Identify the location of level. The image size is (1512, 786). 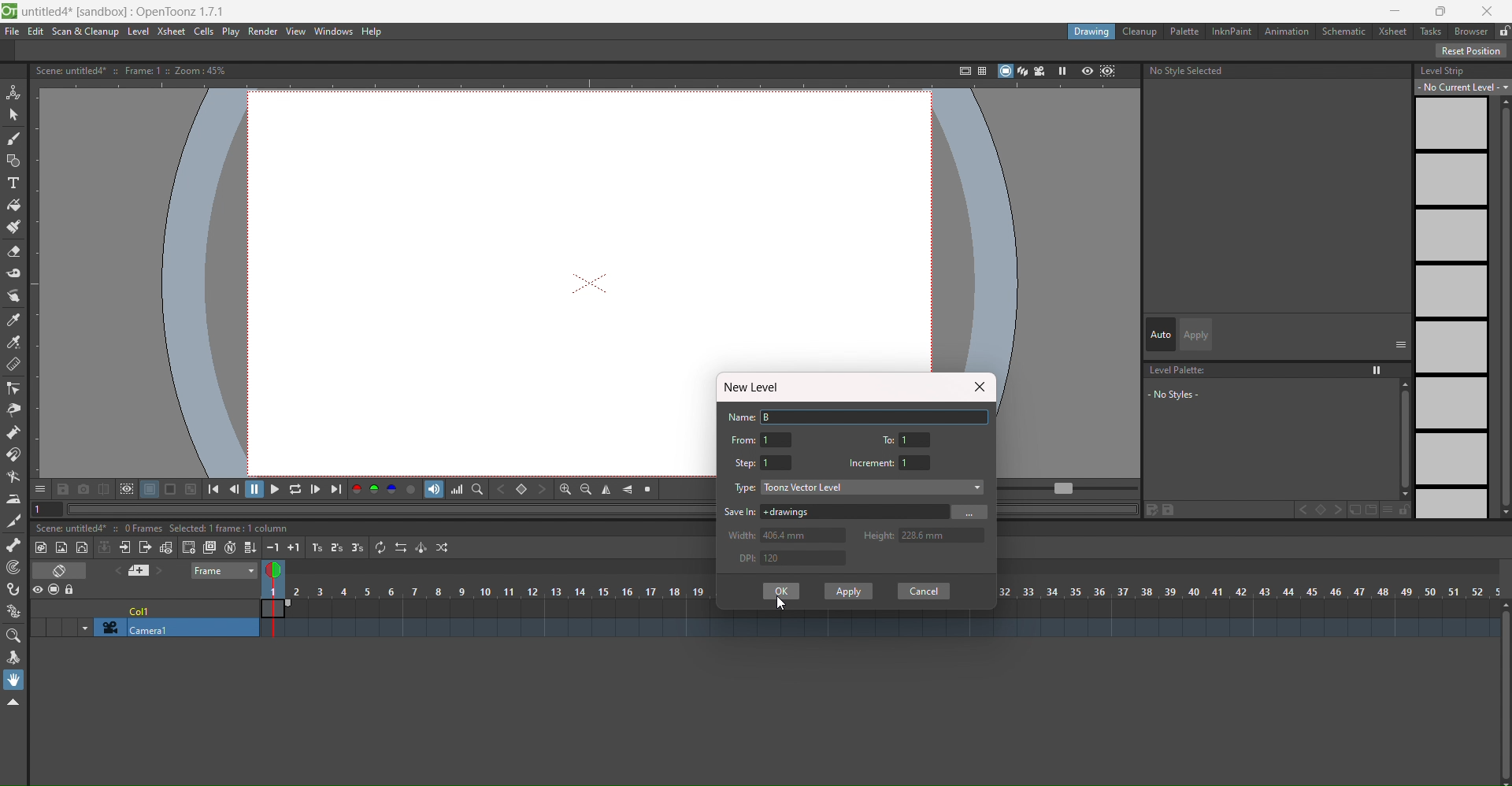
(138, 32).